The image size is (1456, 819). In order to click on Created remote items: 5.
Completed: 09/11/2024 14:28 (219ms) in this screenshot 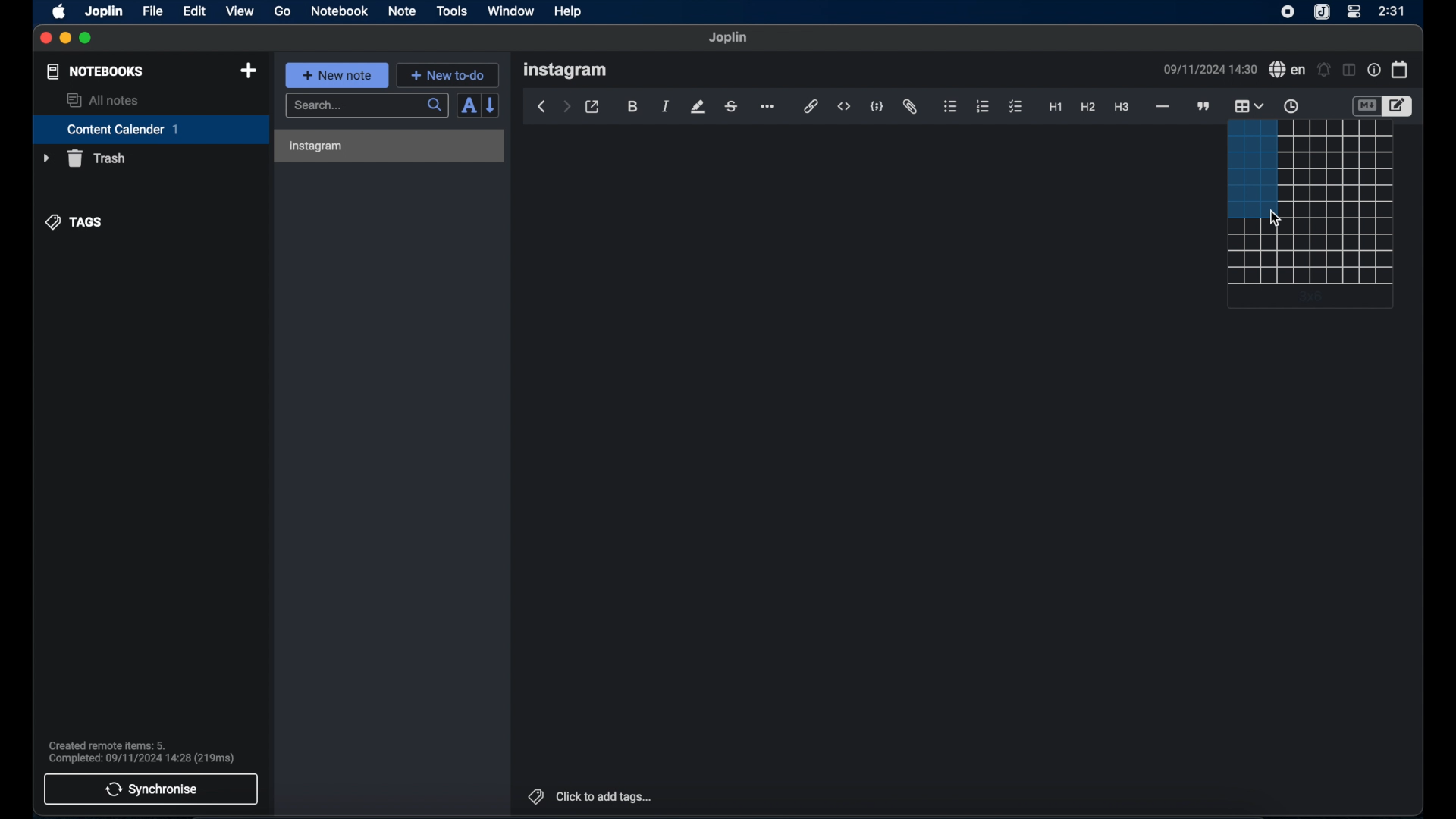, I will do `click(142, 748)`.